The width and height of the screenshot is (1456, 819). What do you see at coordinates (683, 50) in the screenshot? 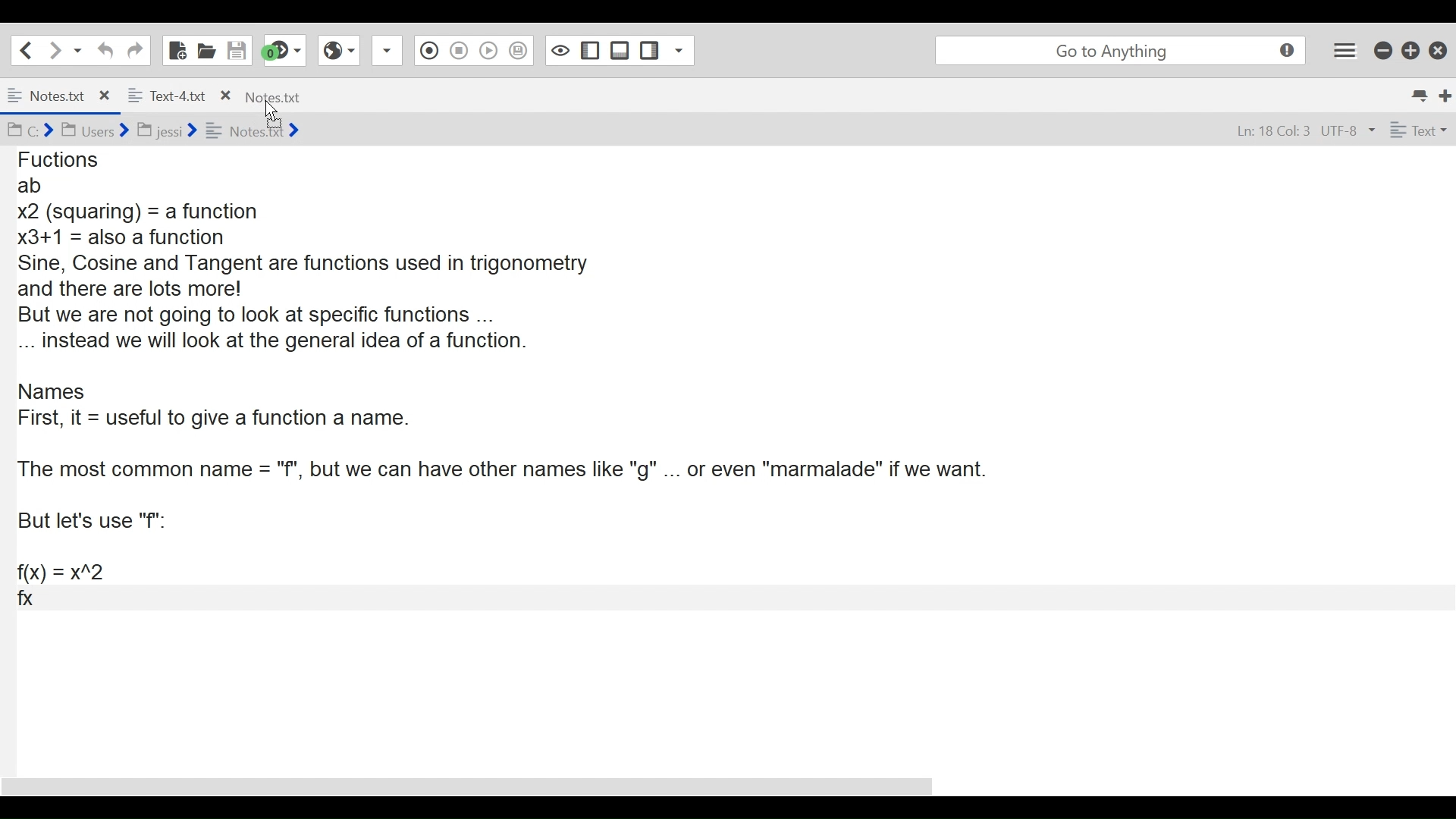
I see `Show Specific Sidebar` at bounding box center [683, 50].